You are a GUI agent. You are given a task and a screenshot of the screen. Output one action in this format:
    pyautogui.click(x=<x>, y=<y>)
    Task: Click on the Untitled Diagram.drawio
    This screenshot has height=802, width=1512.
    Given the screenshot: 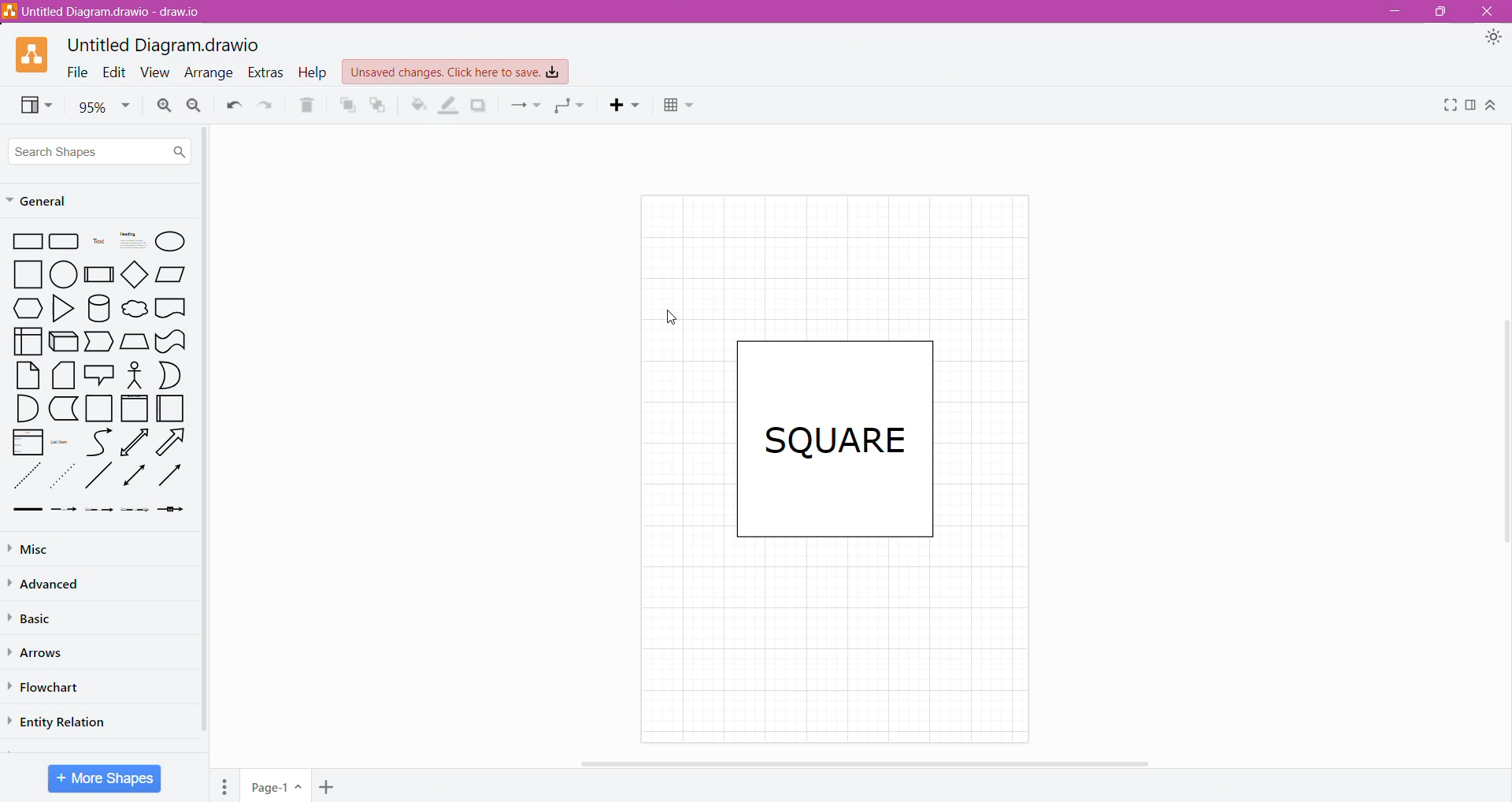 What is the action you would take?
    pyautogui.click(x=164, y=45)
    